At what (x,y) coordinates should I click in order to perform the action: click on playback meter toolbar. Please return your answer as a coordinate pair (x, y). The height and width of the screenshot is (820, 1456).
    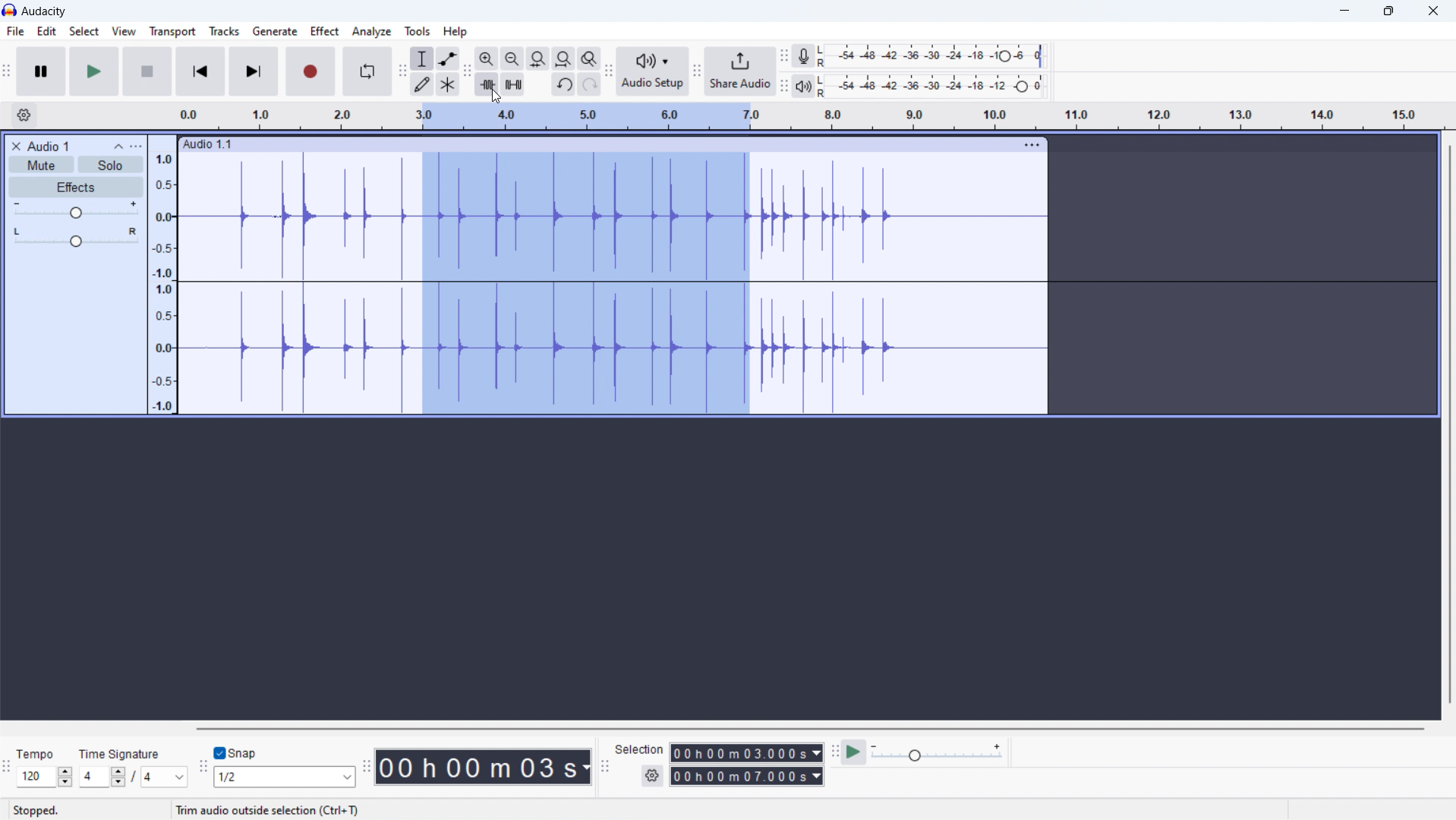
    Looking at the image, I should click on (784, 87).